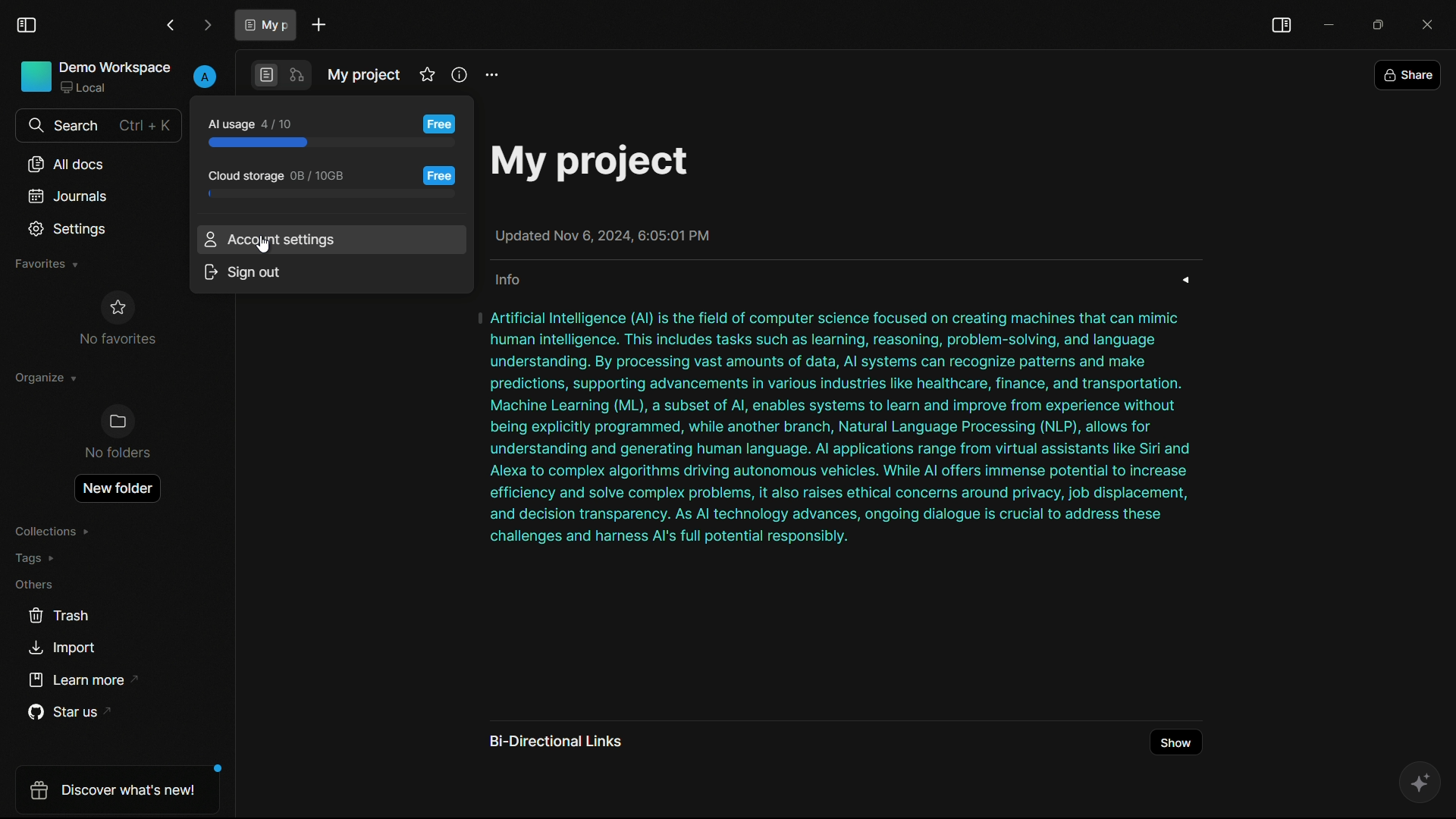  I want to click on new folder, so click(118, 488).